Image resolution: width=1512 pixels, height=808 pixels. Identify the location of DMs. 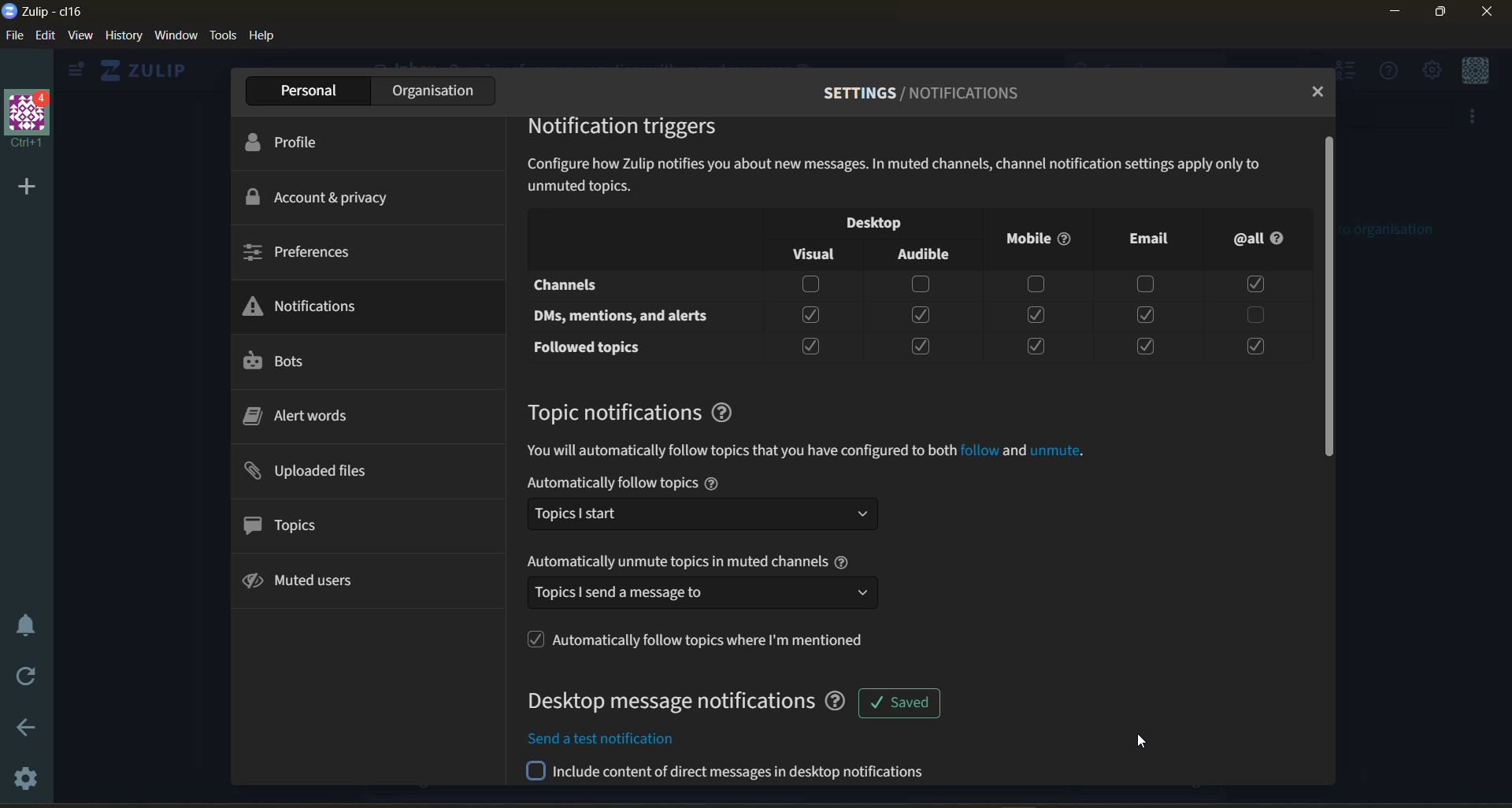
(629, 313).